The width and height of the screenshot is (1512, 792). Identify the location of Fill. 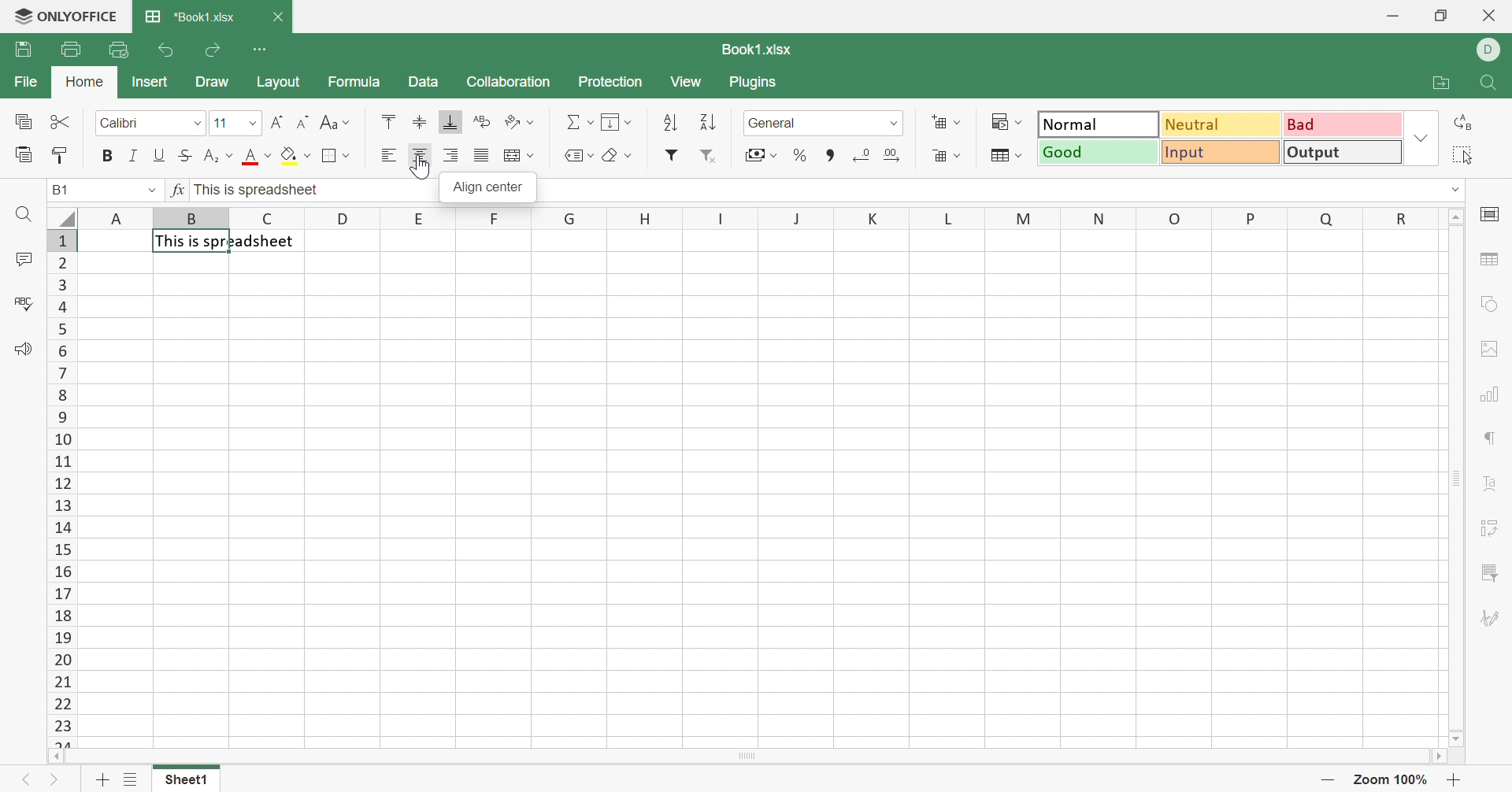
(613, 124).